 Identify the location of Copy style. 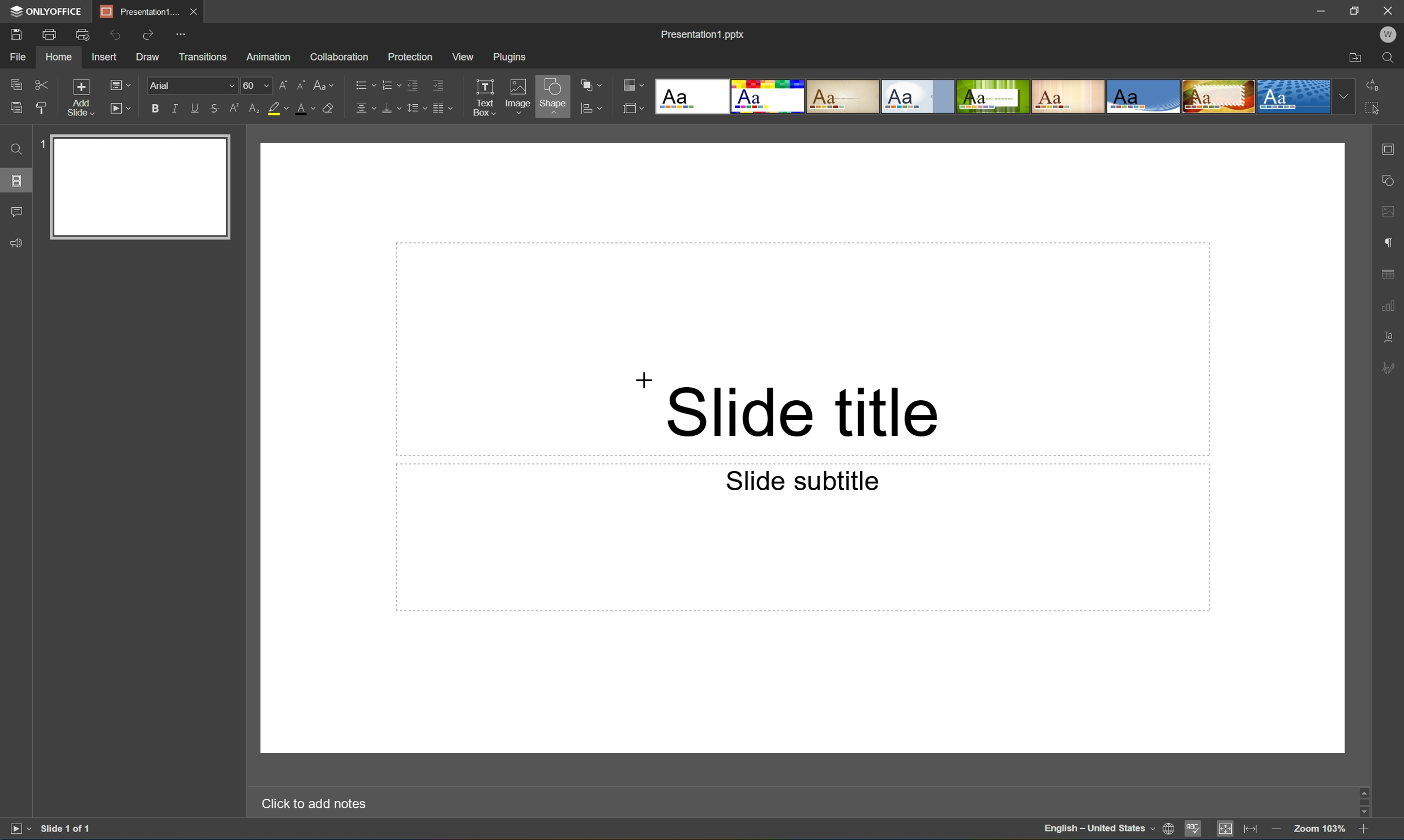
(41, 106).